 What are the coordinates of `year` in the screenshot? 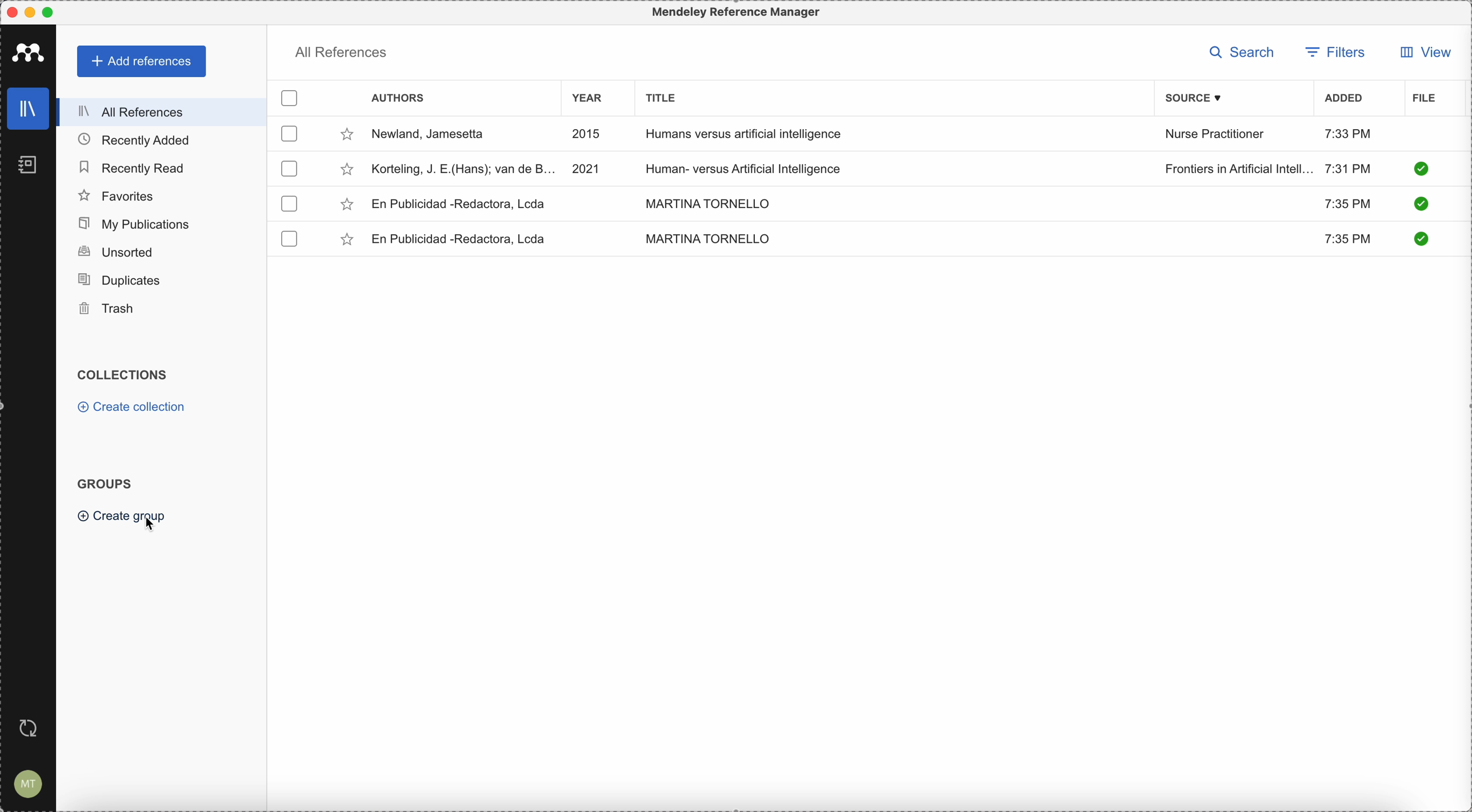 It's located at (594, 100).